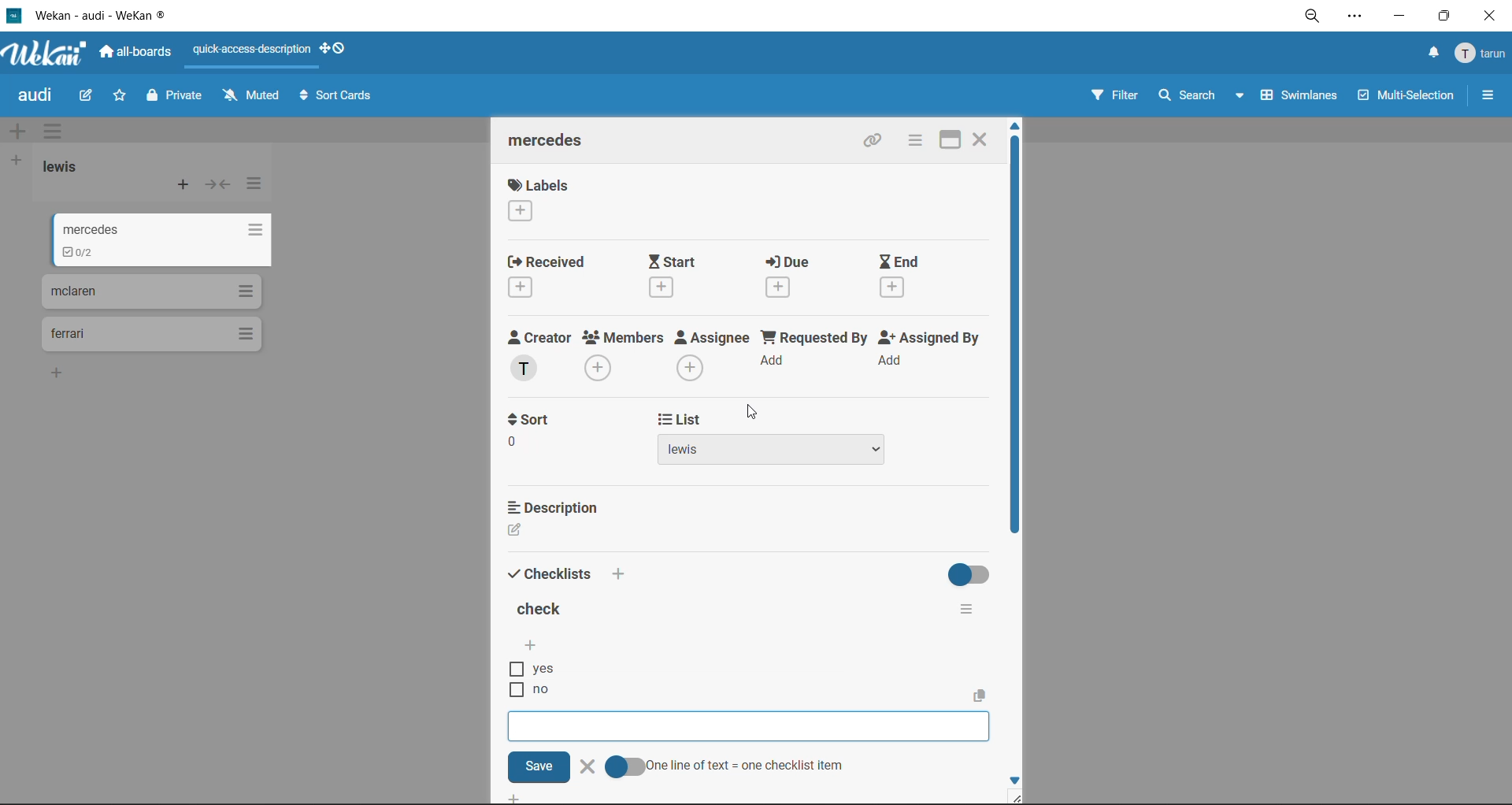  Describe the element at coordinates (624, 355) in the screenshot. I see `members` at that location.